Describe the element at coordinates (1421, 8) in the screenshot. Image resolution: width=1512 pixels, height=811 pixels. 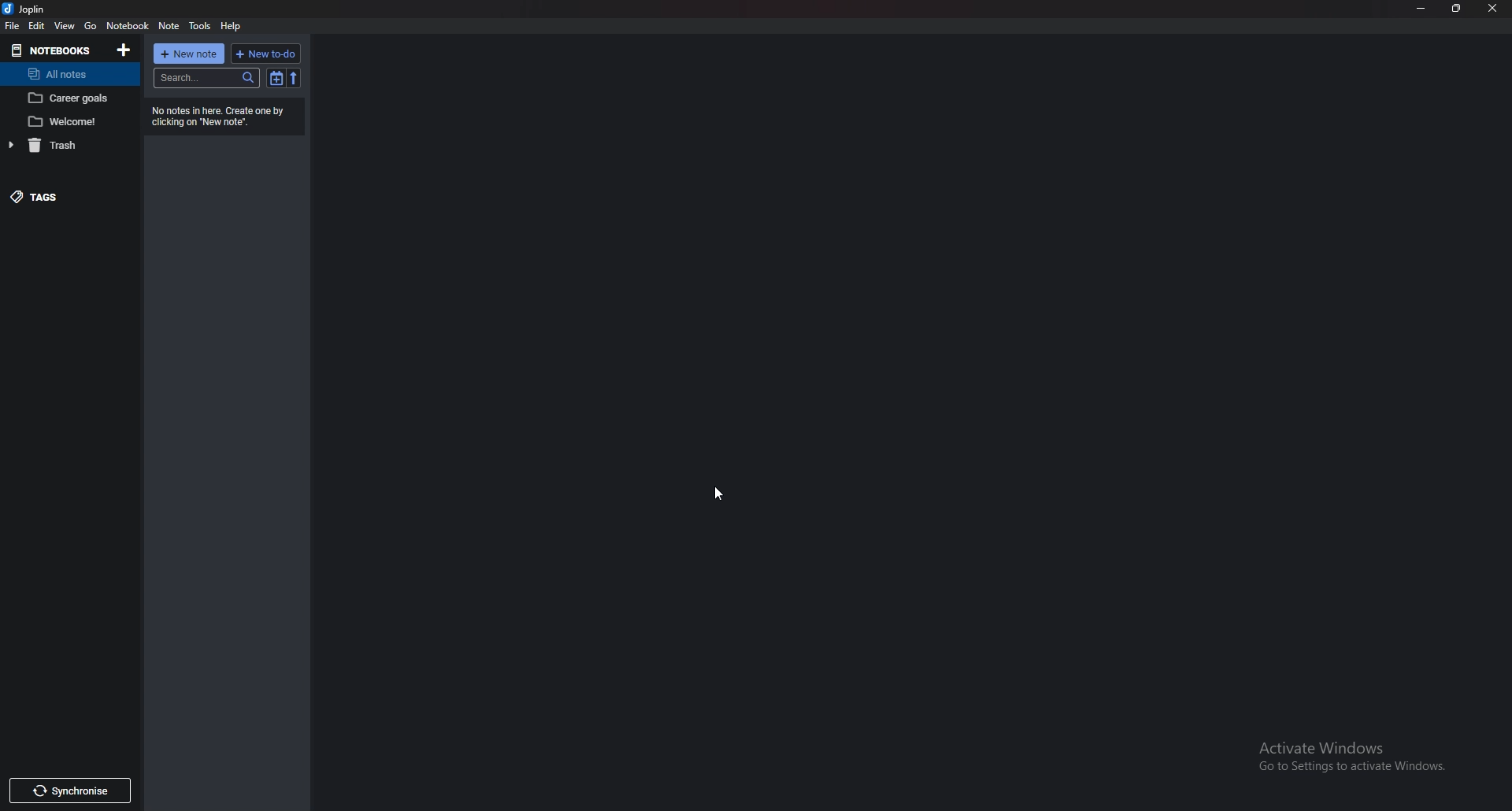
I see `minimize` at that location.